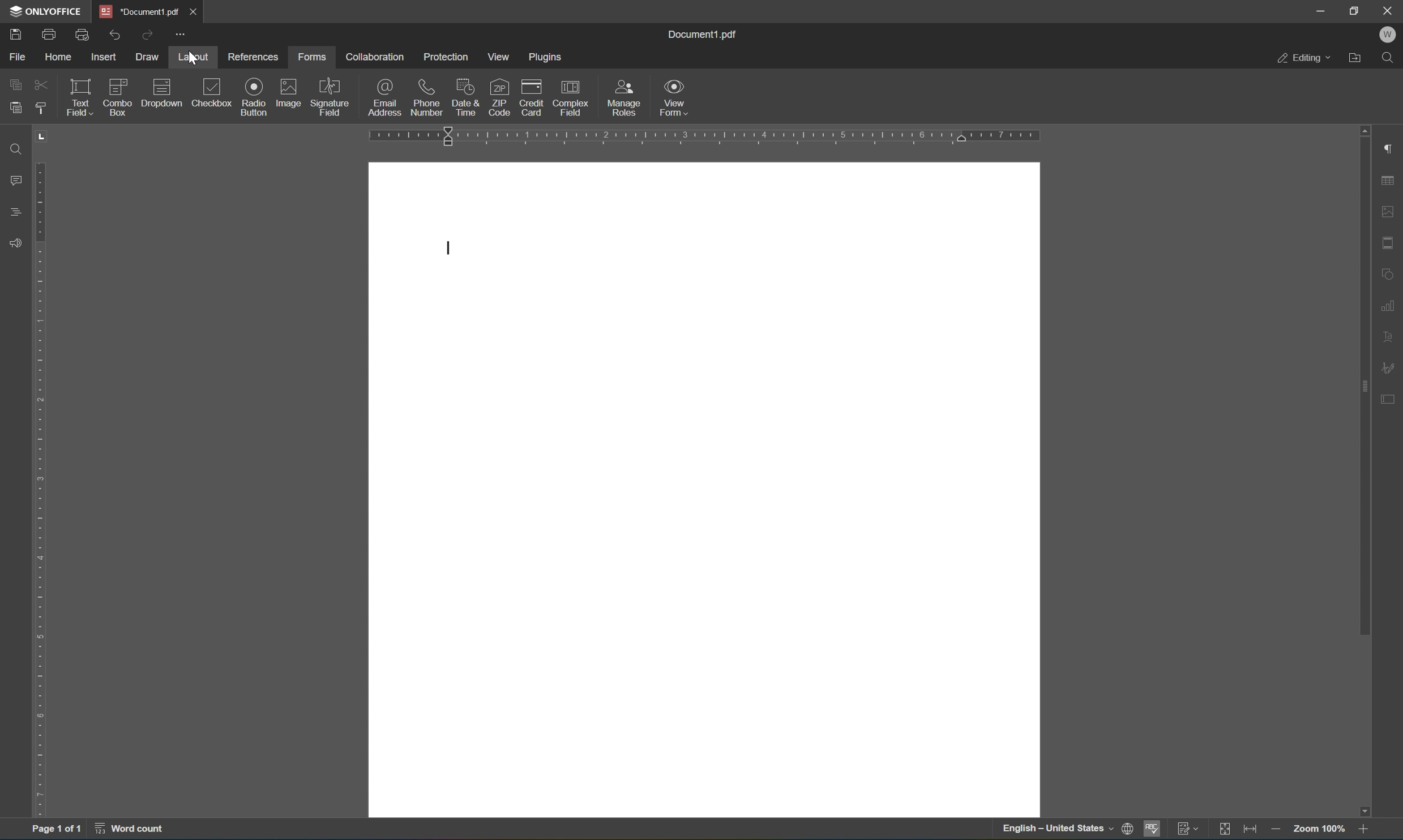 The width and height of the screenshot is (1403, 840). What do you see at coordinates (677, 96) in the screenshot?
I see `view form` at bounding box center [677, 96].